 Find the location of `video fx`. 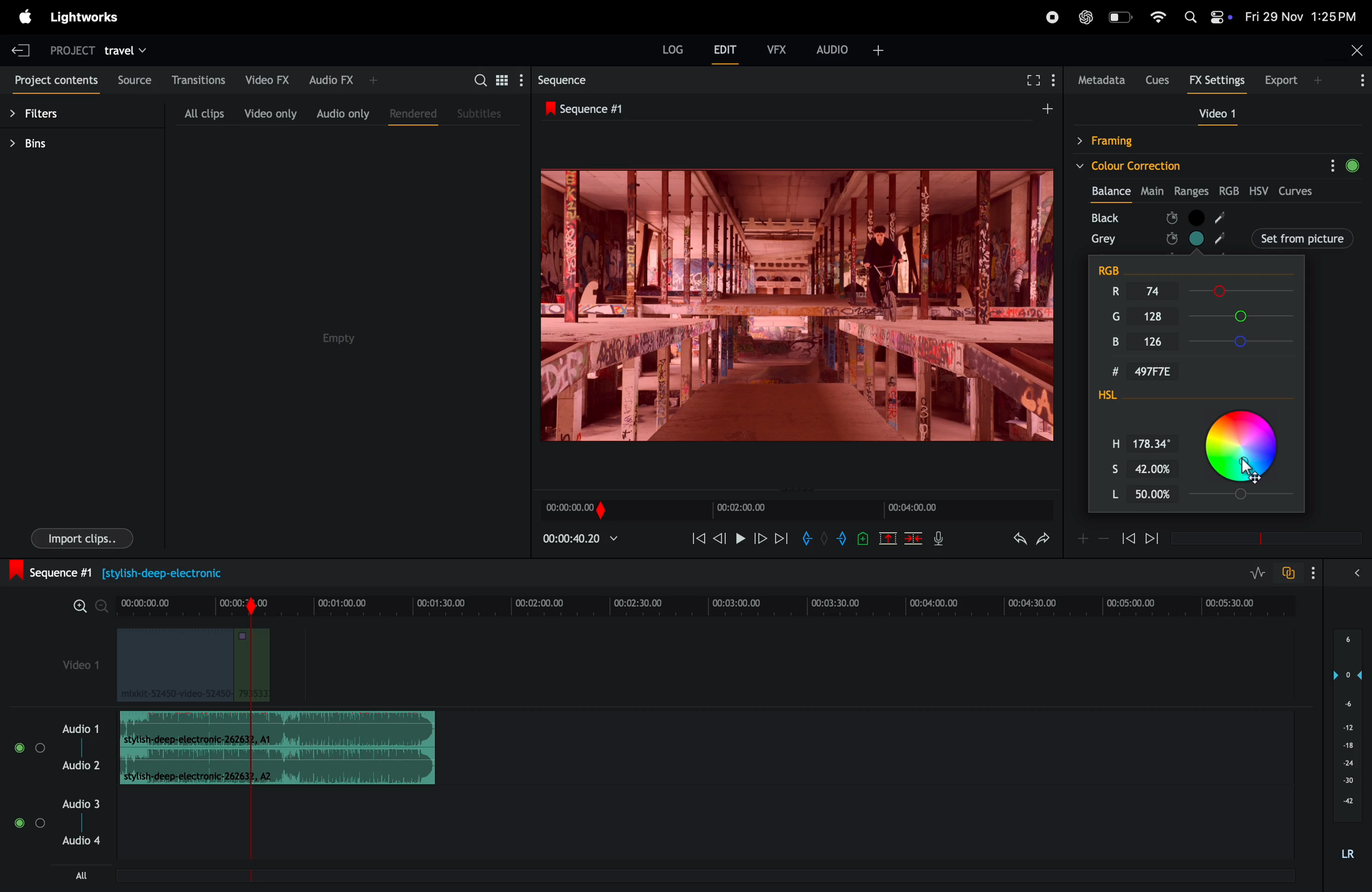

video fx is located at coordinates (267, 80).